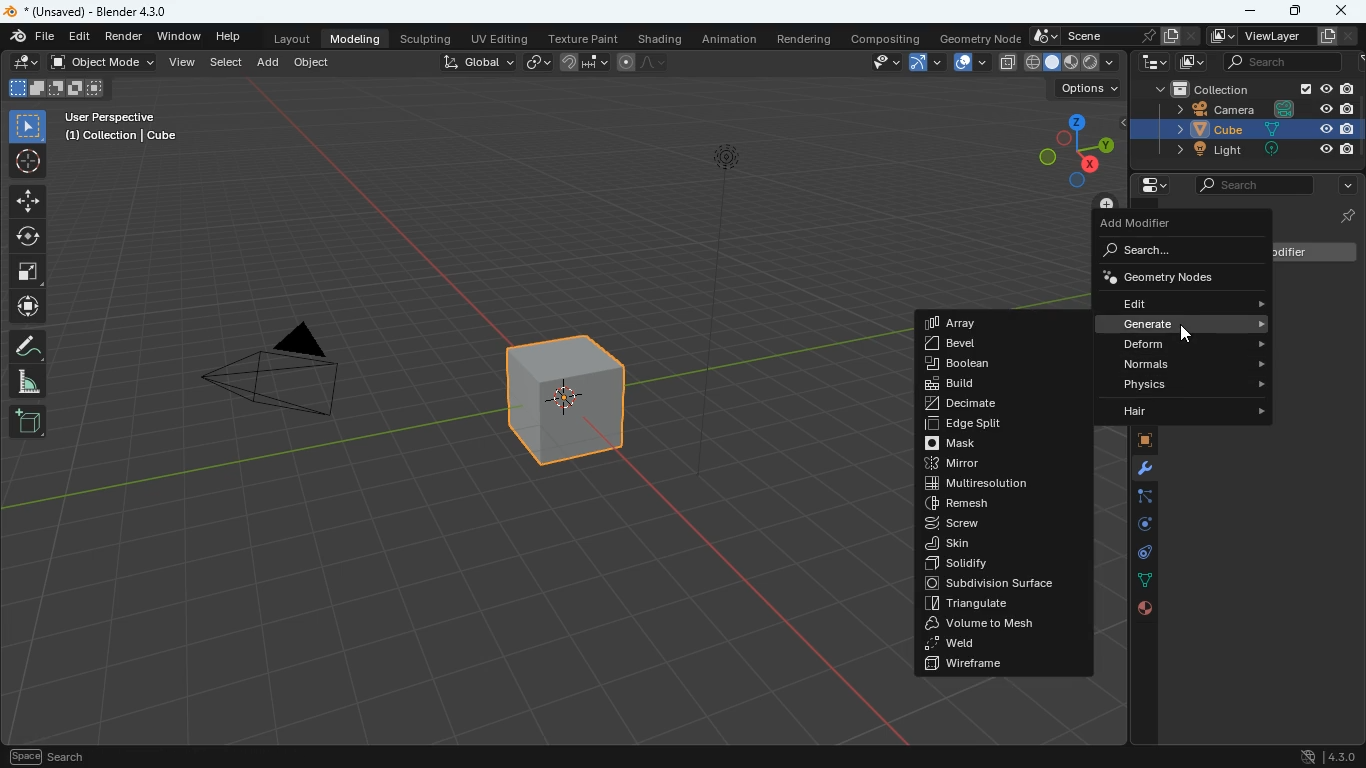 The width and height of the screenshot is (1366, 768). I want to click on move cube, so click(28, 307).